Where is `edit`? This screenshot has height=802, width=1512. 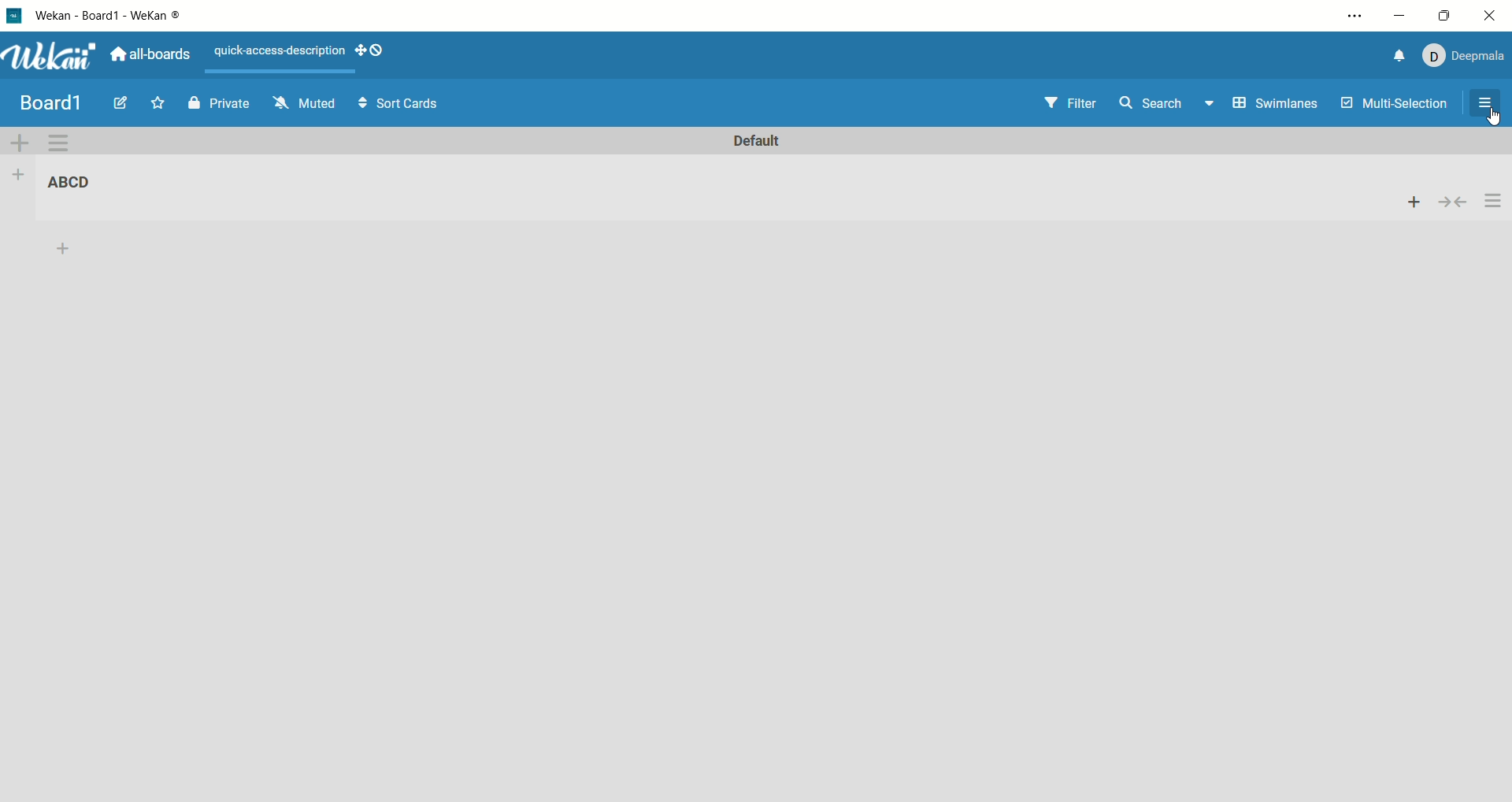
edit is located at coordinates (120, 102).